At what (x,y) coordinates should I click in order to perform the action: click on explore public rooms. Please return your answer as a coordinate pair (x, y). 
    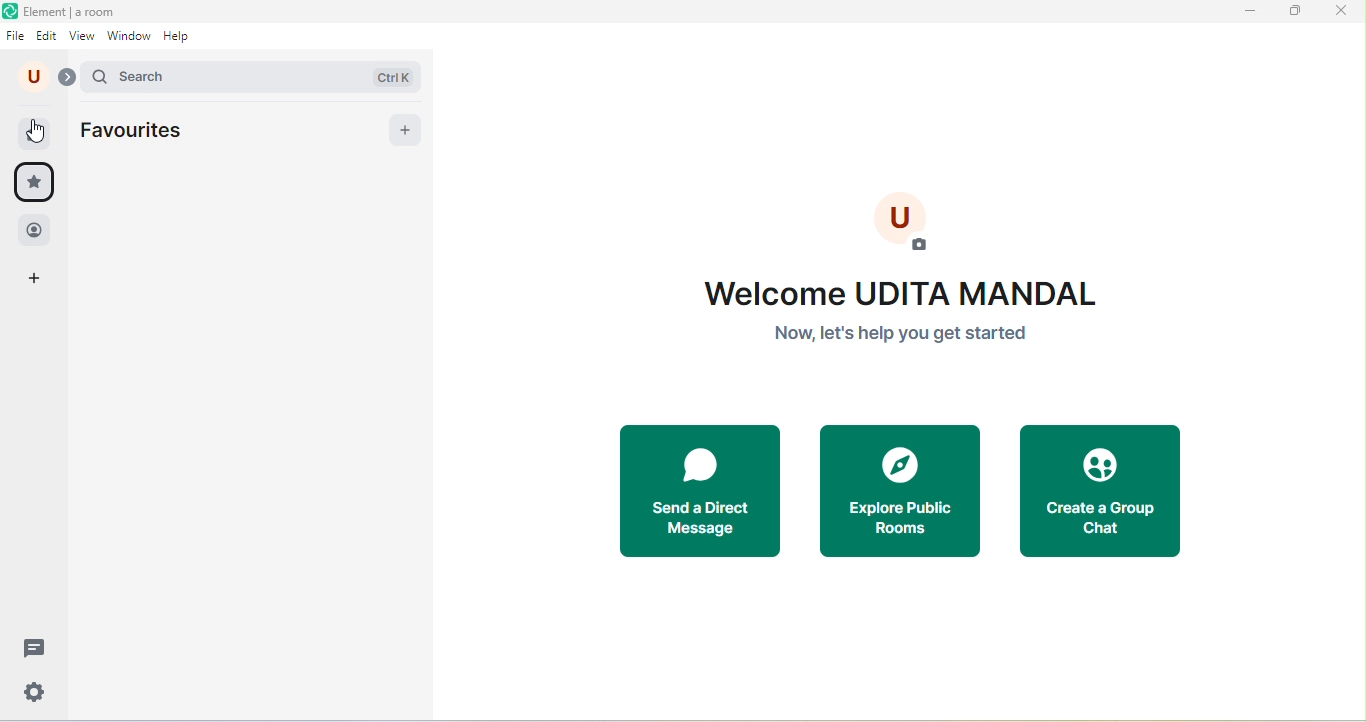
    Looking at the image, I should click on (902, 493).